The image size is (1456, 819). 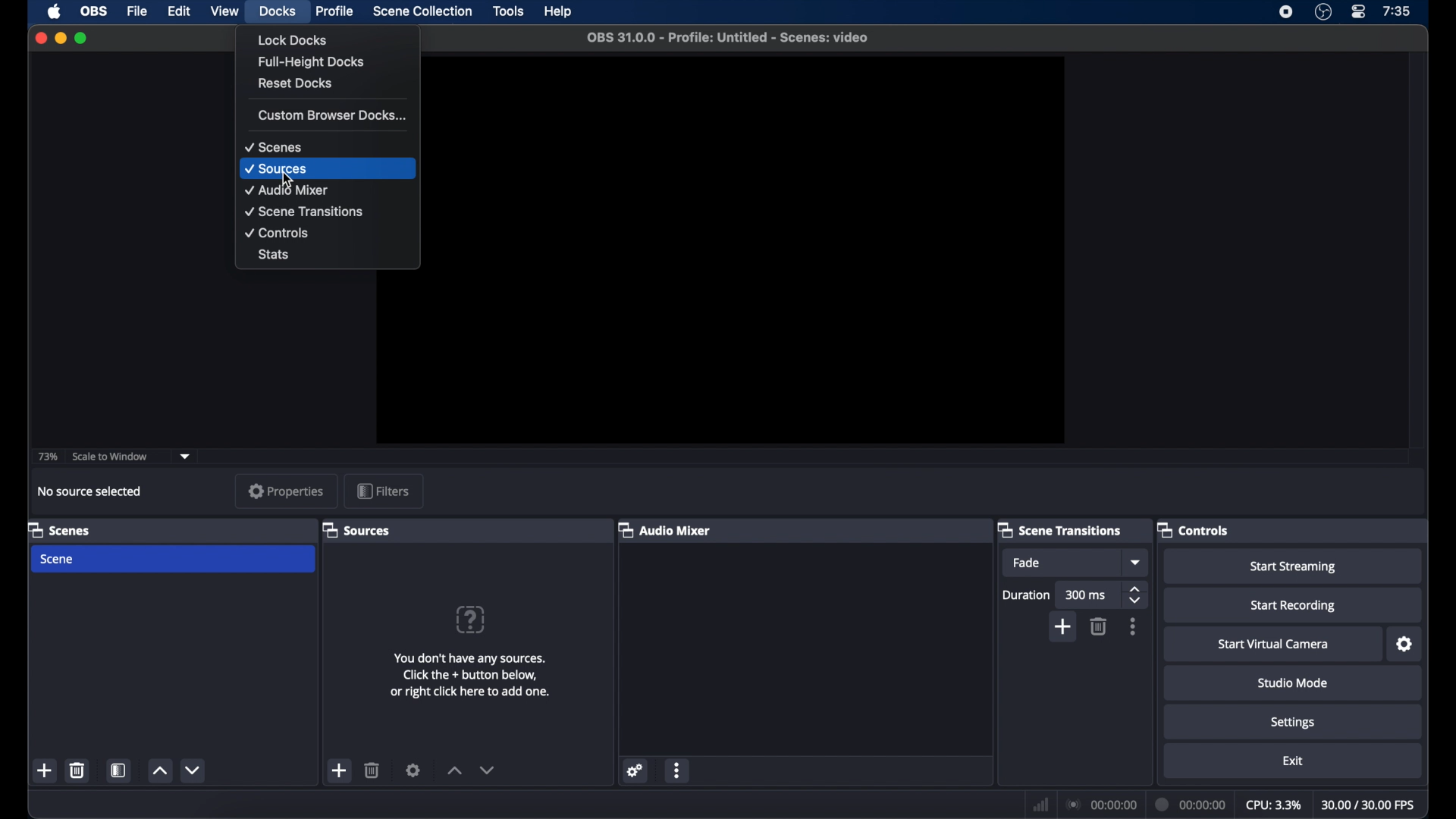 What do you see at coordinates (1274, 644) in the screenshot?
I see `start virtual camera` at bounding box center [1274, 644].